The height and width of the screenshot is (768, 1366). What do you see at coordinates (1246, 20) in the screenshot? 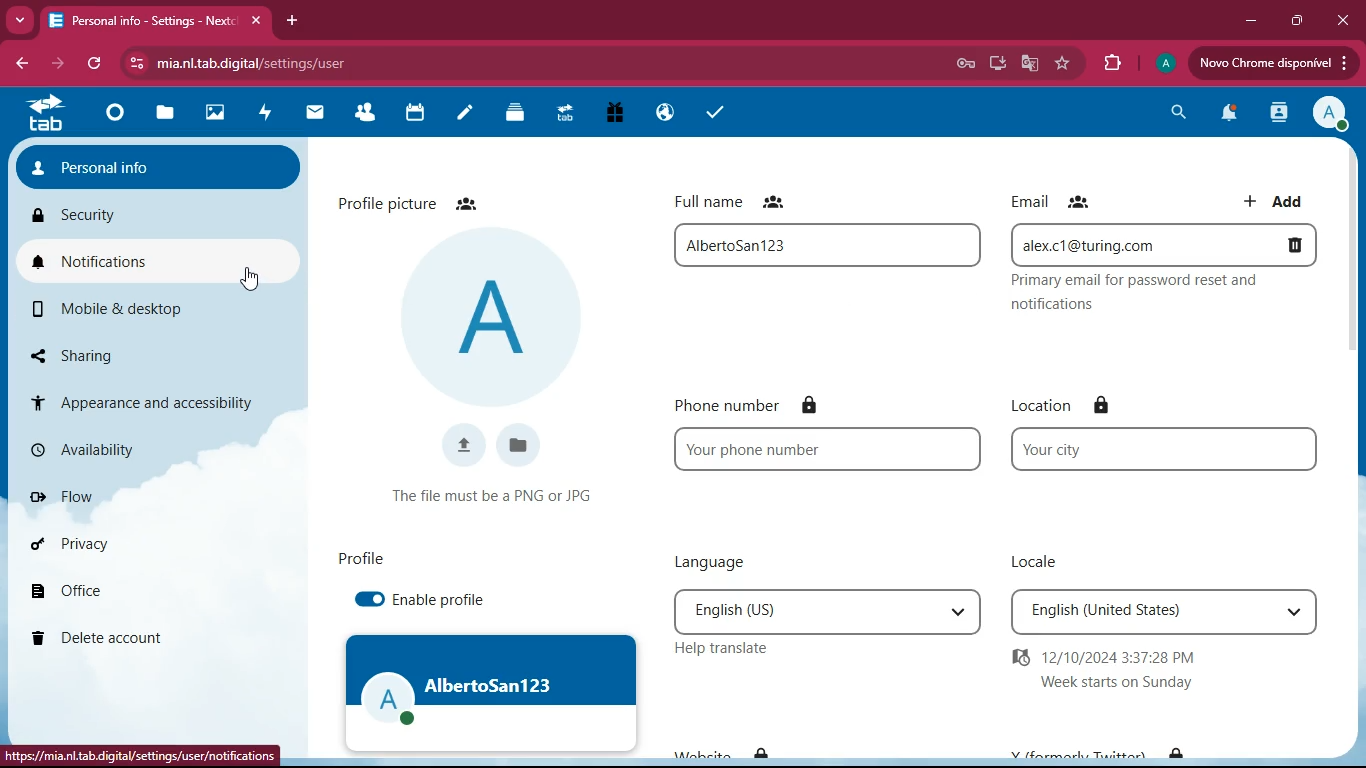
I see `minimize` at bounding box center [1246, 20].